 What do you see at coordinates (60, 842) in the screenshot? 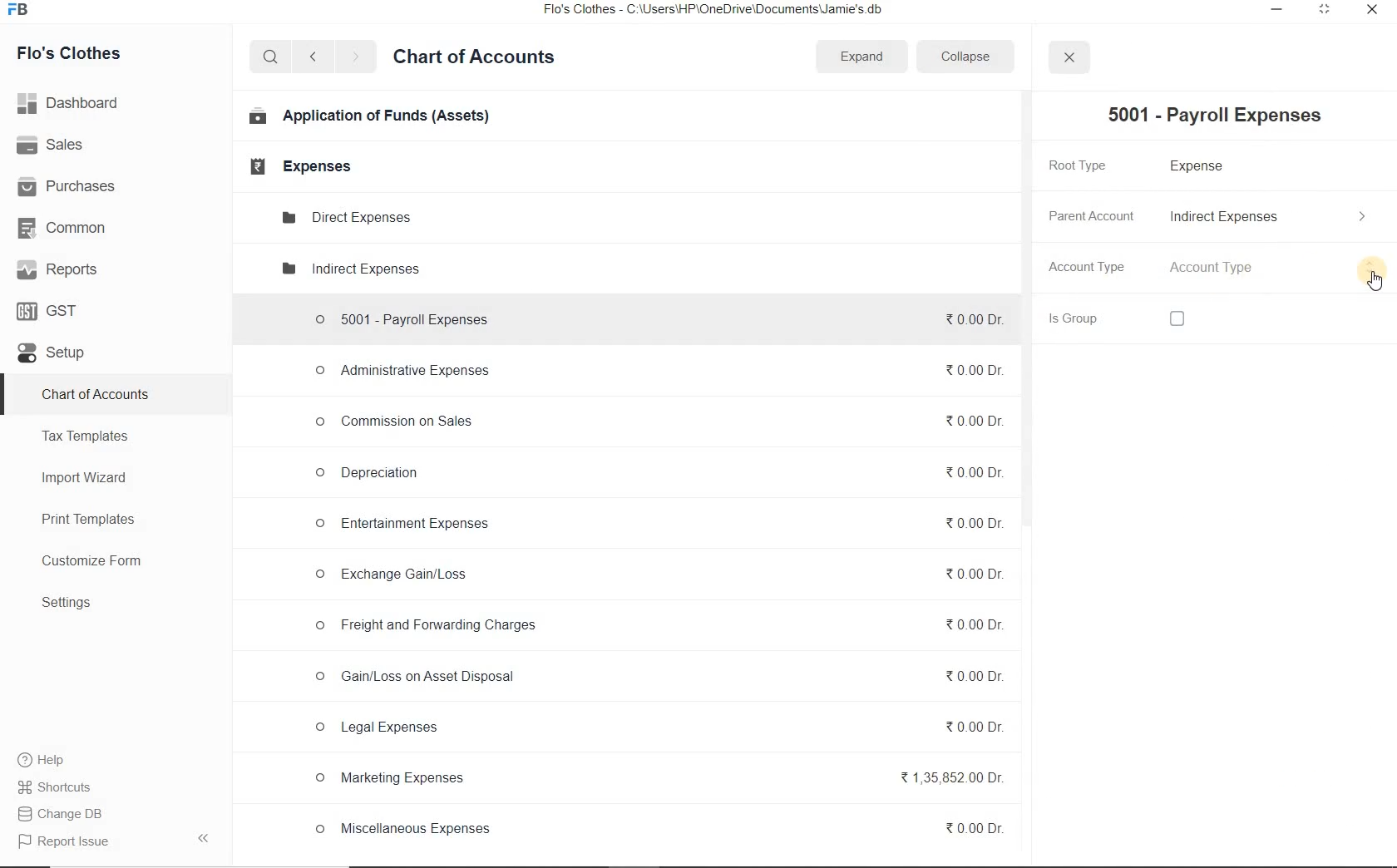
I see `Report Issue` at bounding box center [60, 842].